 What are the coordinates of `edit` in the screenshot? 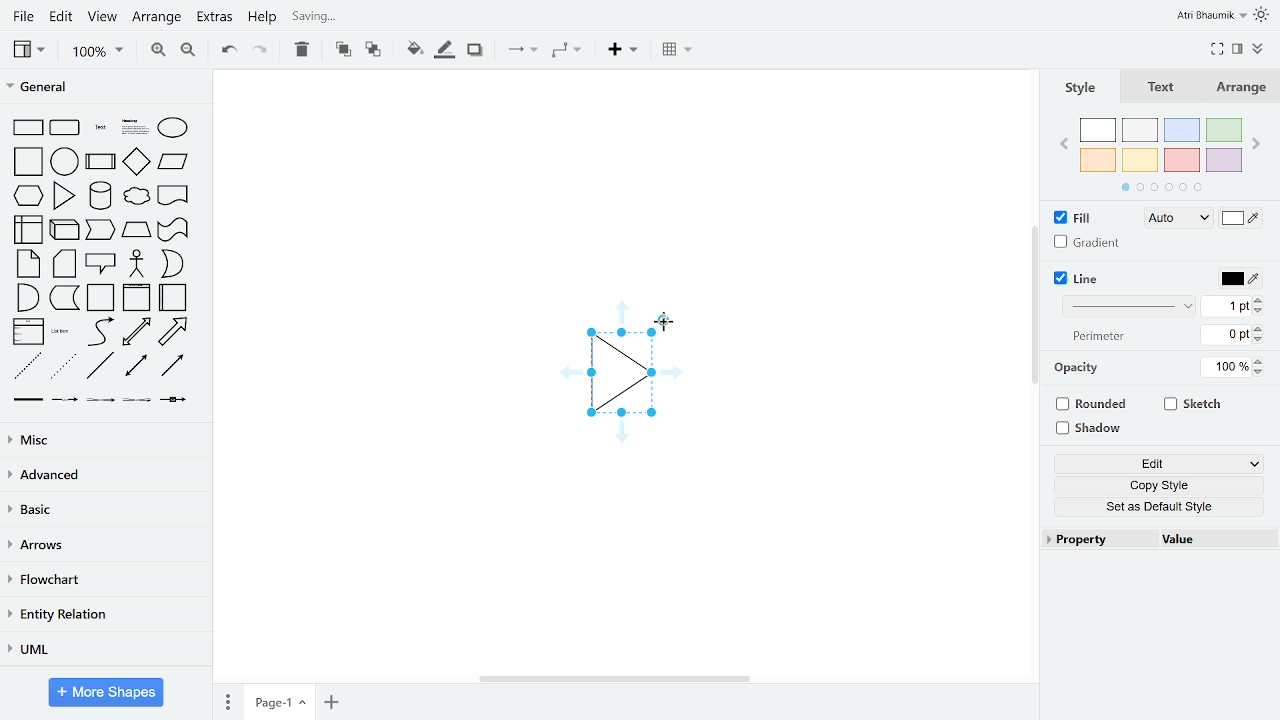 It's located at (1162, 463).